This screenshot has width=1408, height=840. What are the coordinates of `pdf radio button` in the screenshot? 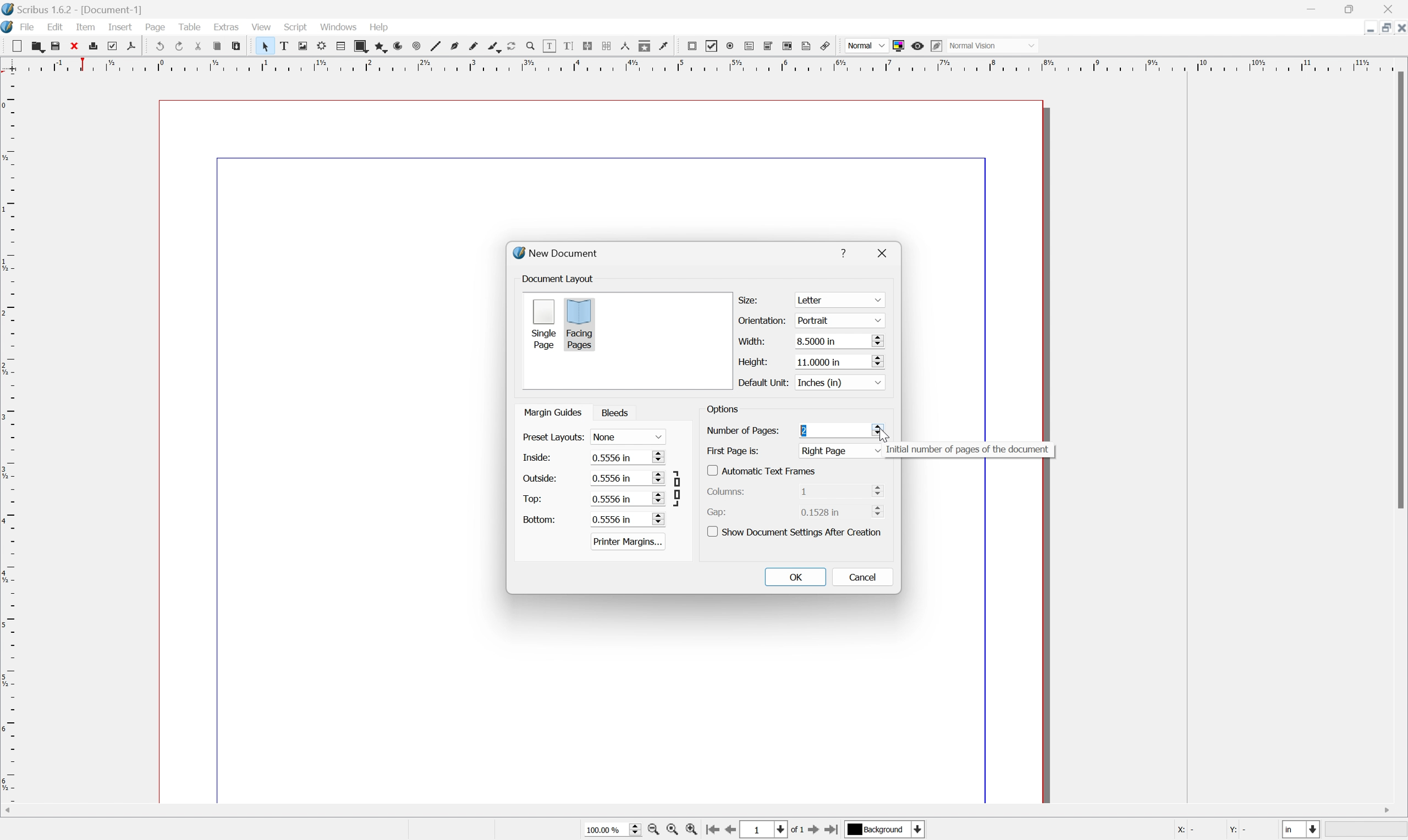 It's located at (730, 44).